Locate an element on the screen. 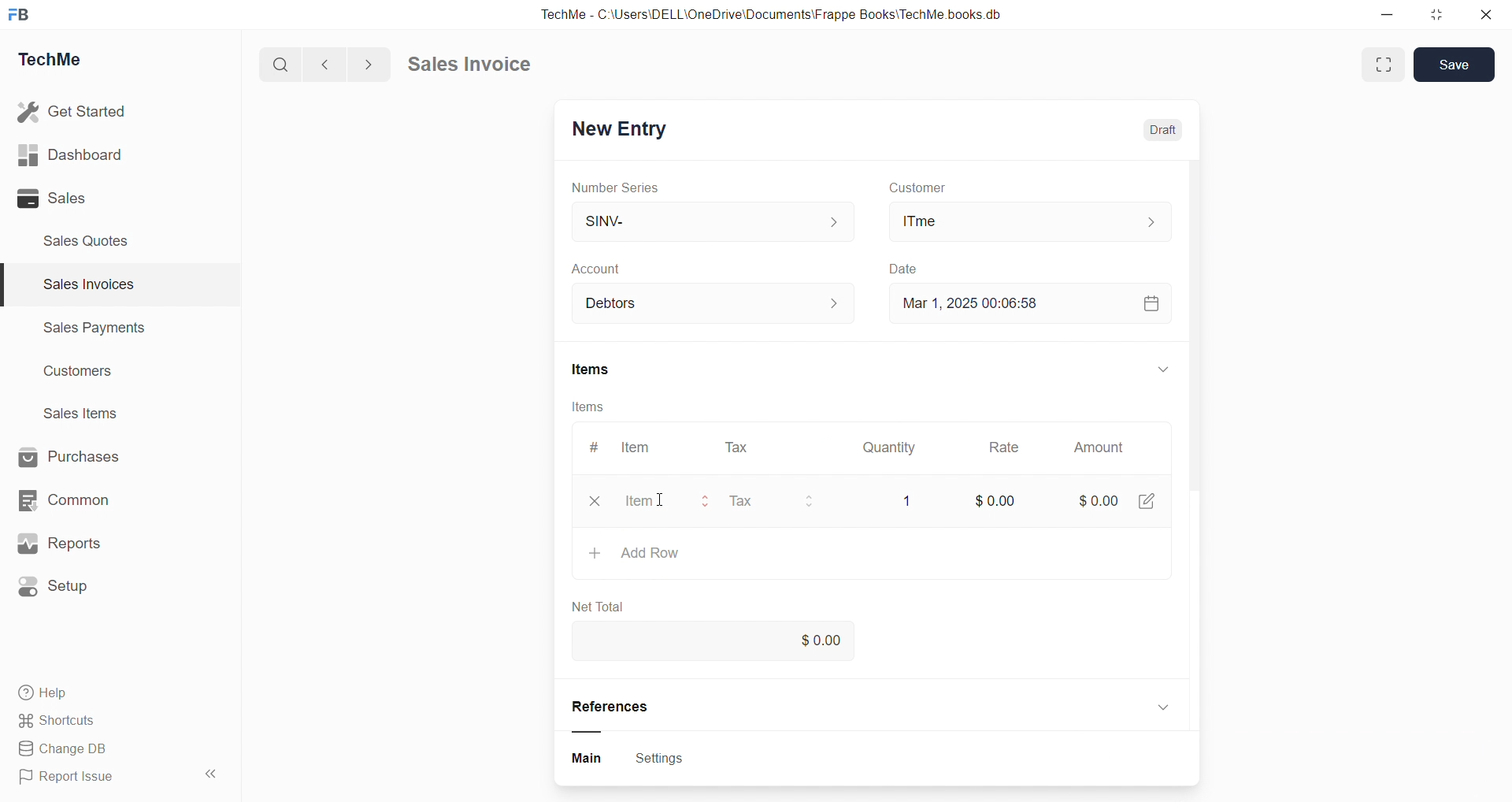 The image size is (1512, 802).  Shortcuts is located at coordinates (63, 722).